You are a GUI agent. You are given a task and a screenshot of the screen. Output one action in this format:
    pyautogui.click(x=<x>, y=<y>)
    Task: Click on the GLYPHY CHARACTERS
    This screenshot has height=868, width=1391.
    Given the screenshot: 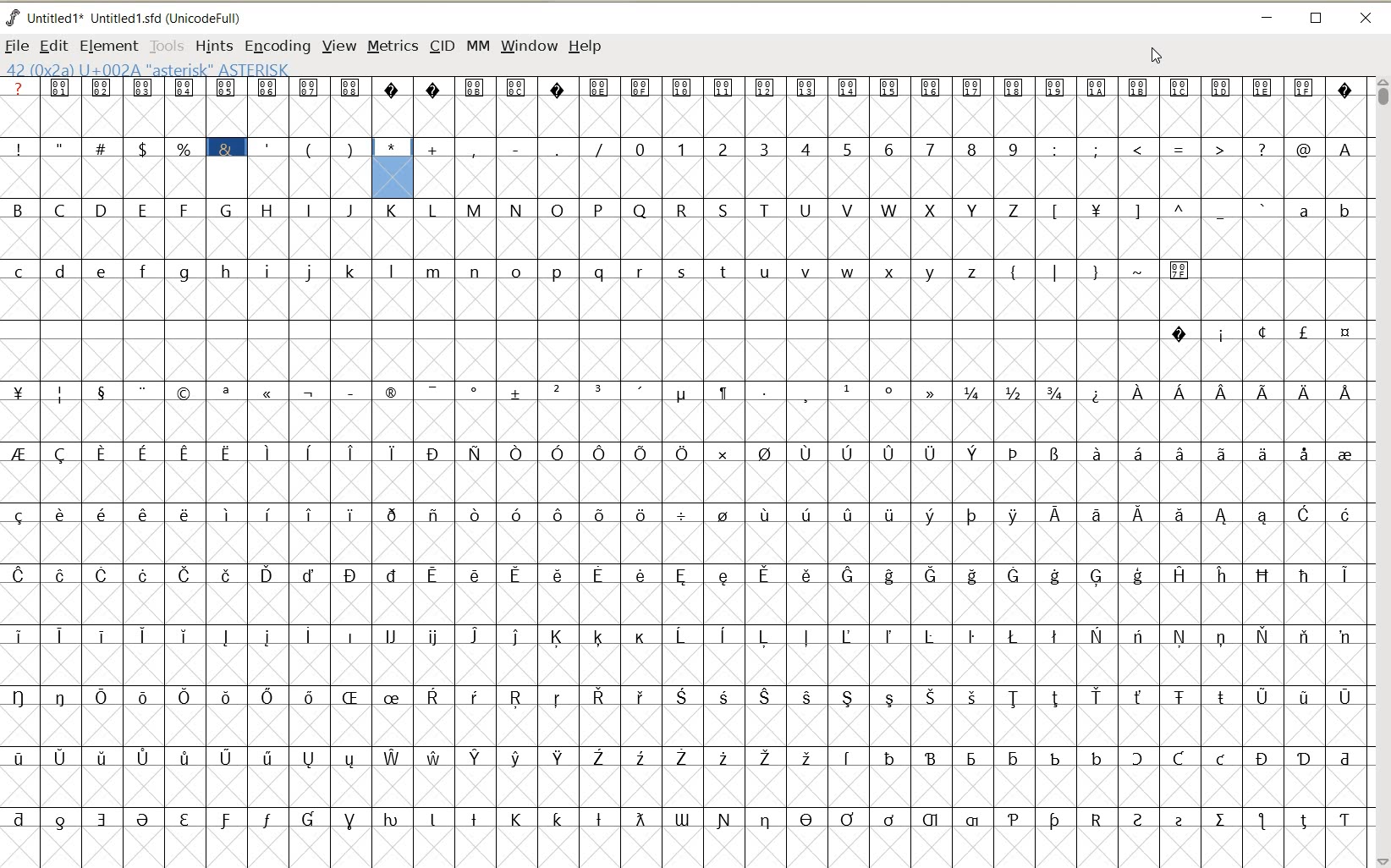 What is the action you would take?
    pyautogui.click(x=206, y=105)
    